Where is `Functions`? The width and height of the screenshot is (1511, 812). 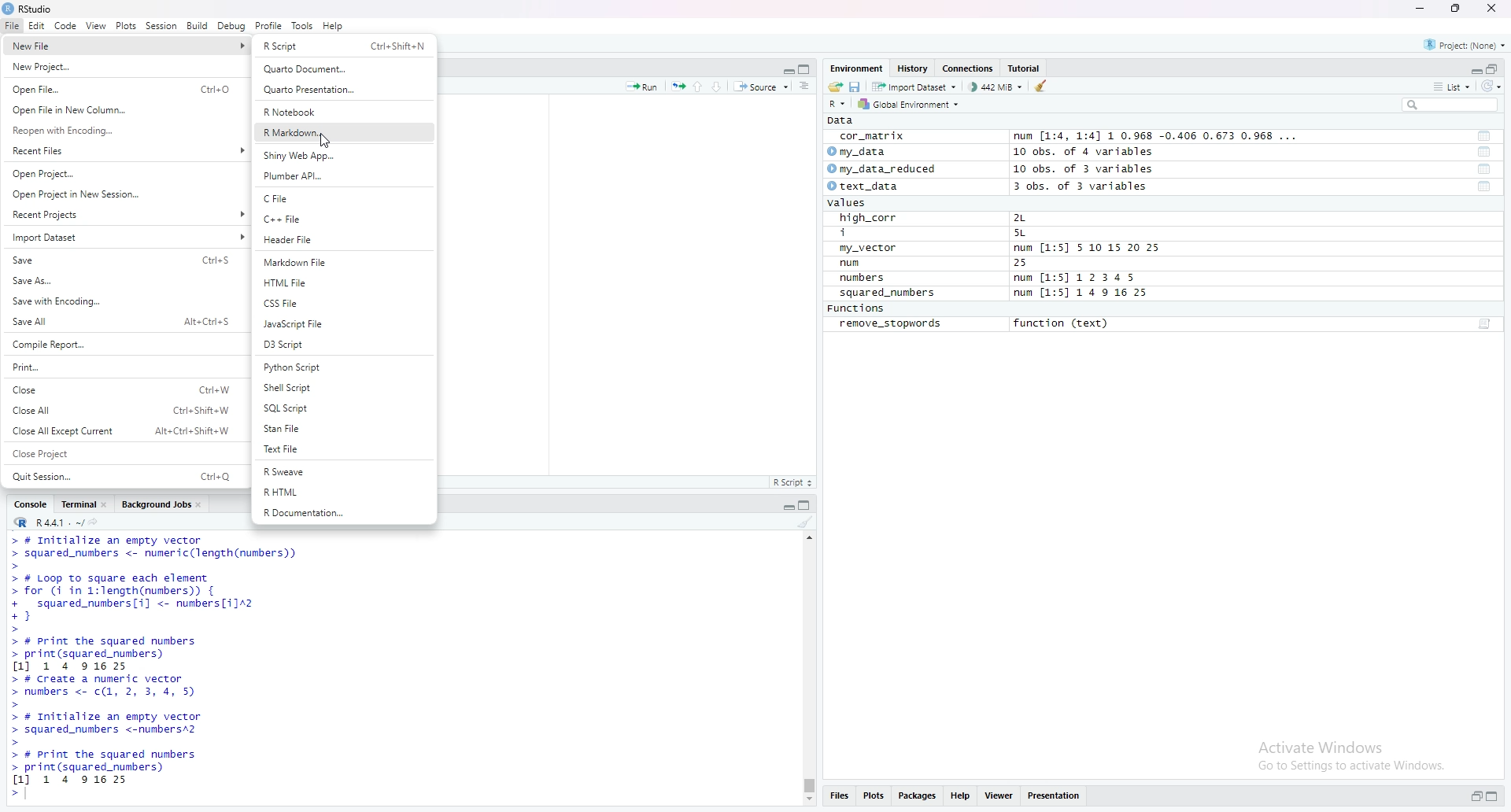
Functions is located at coordinates (856, 308).